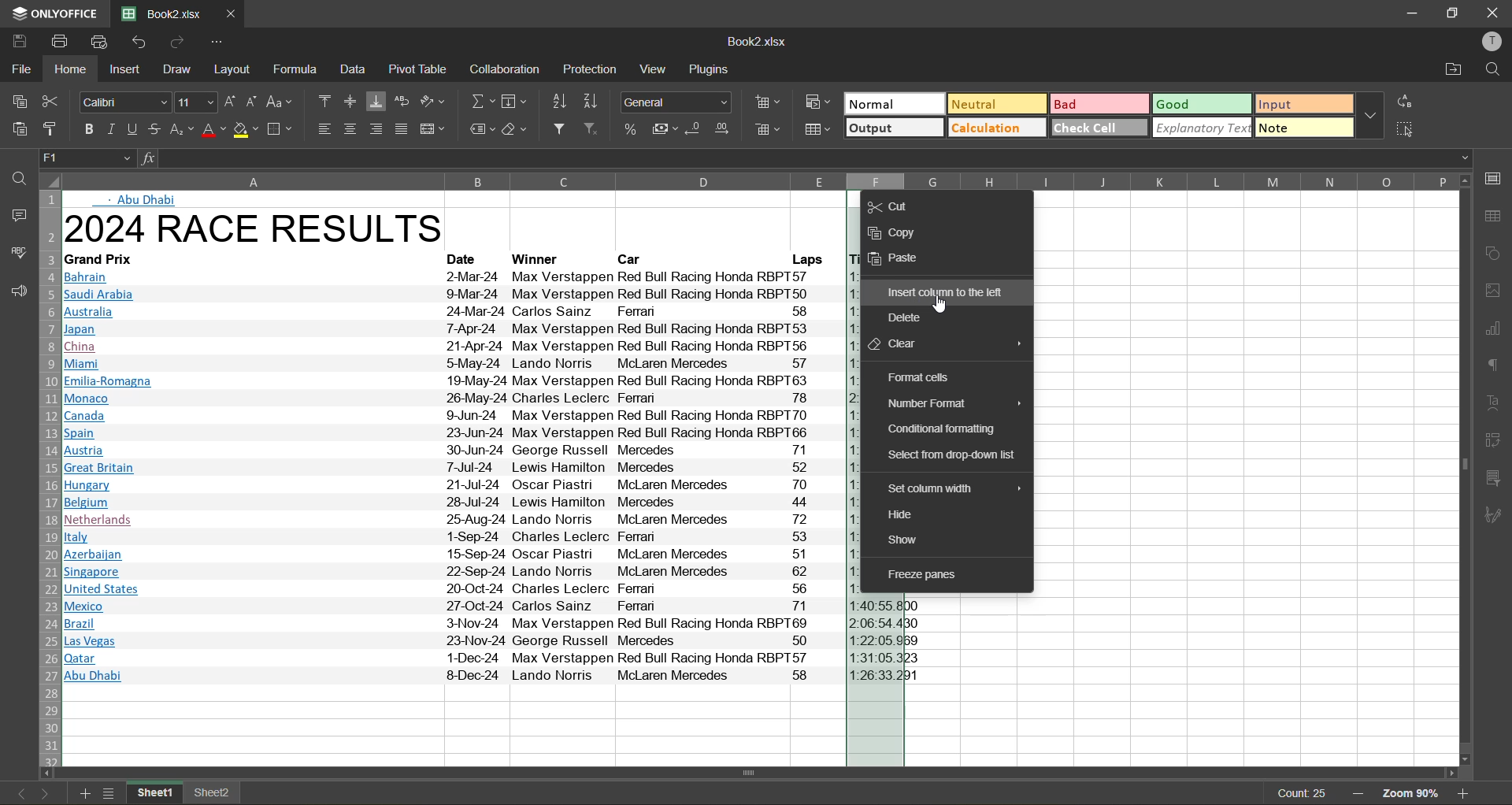 This screenshot has width=1512, height=805. Describe the element at coordinates (591, 102) in the screenshot. I see `sort descending` at that location.